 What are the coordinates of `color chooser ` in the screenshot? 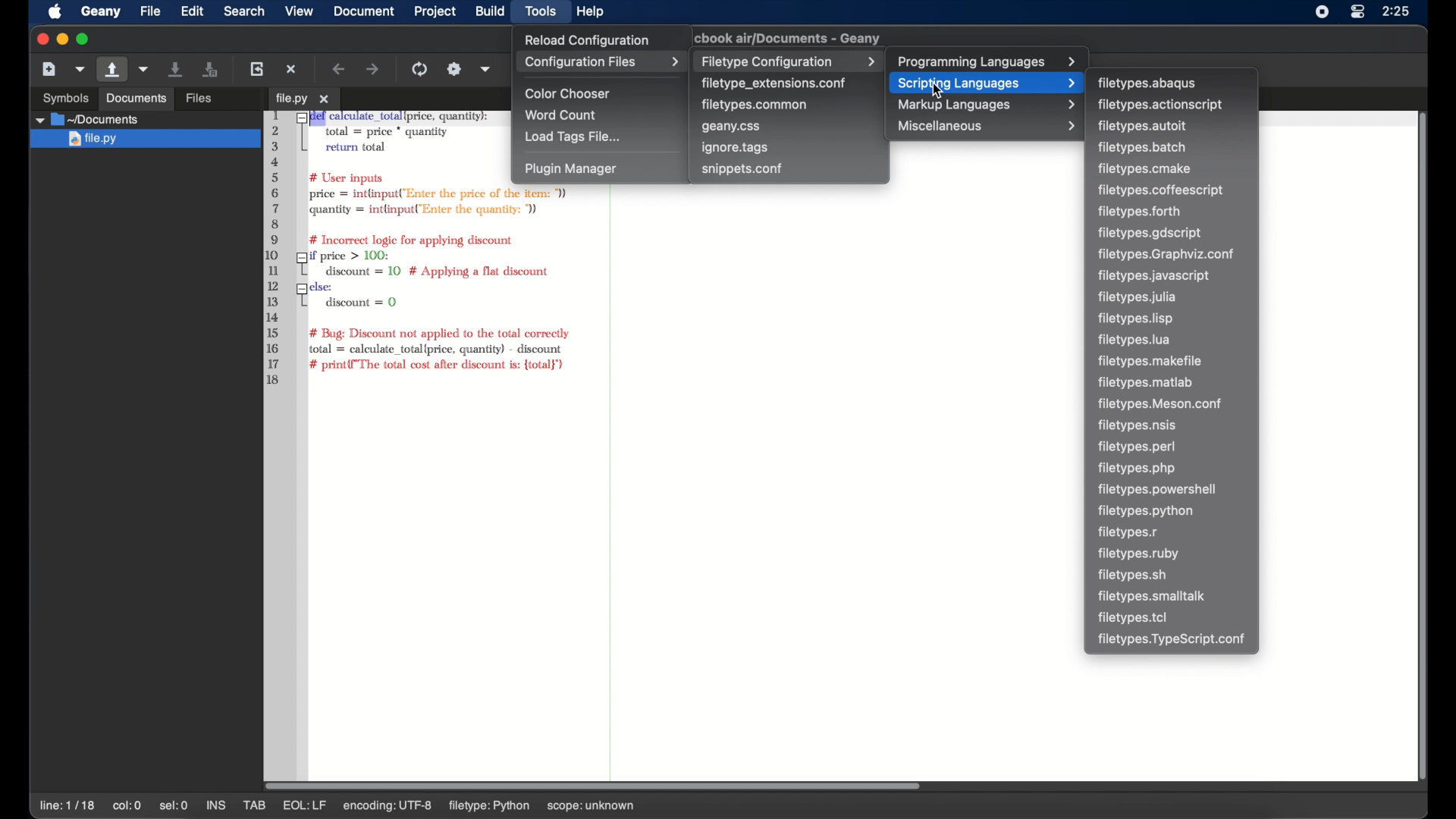 It's located at (570, 94).